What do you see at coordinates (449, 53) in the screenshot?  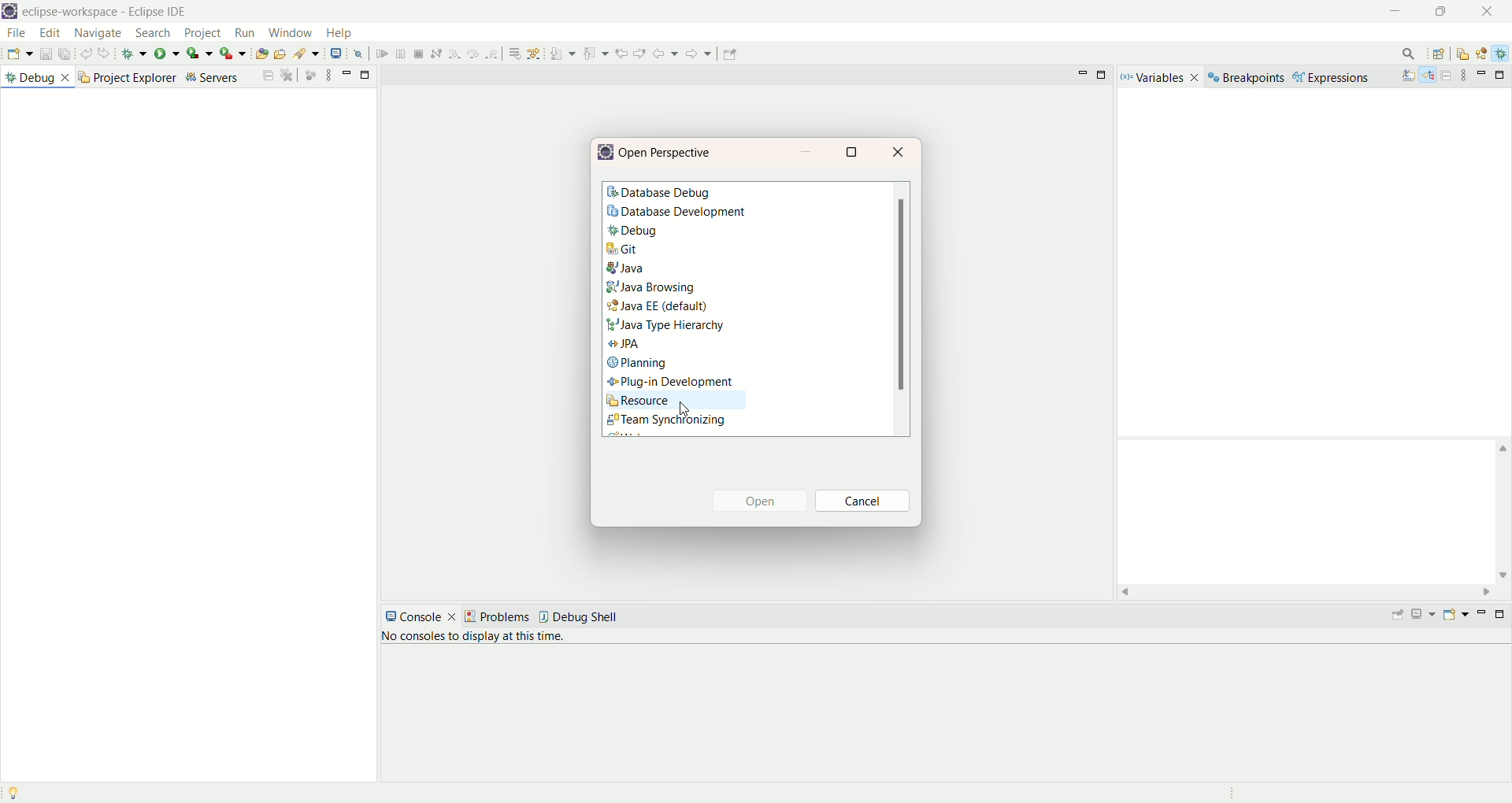 I see `open a terminal` at bounding box center [449, 53].